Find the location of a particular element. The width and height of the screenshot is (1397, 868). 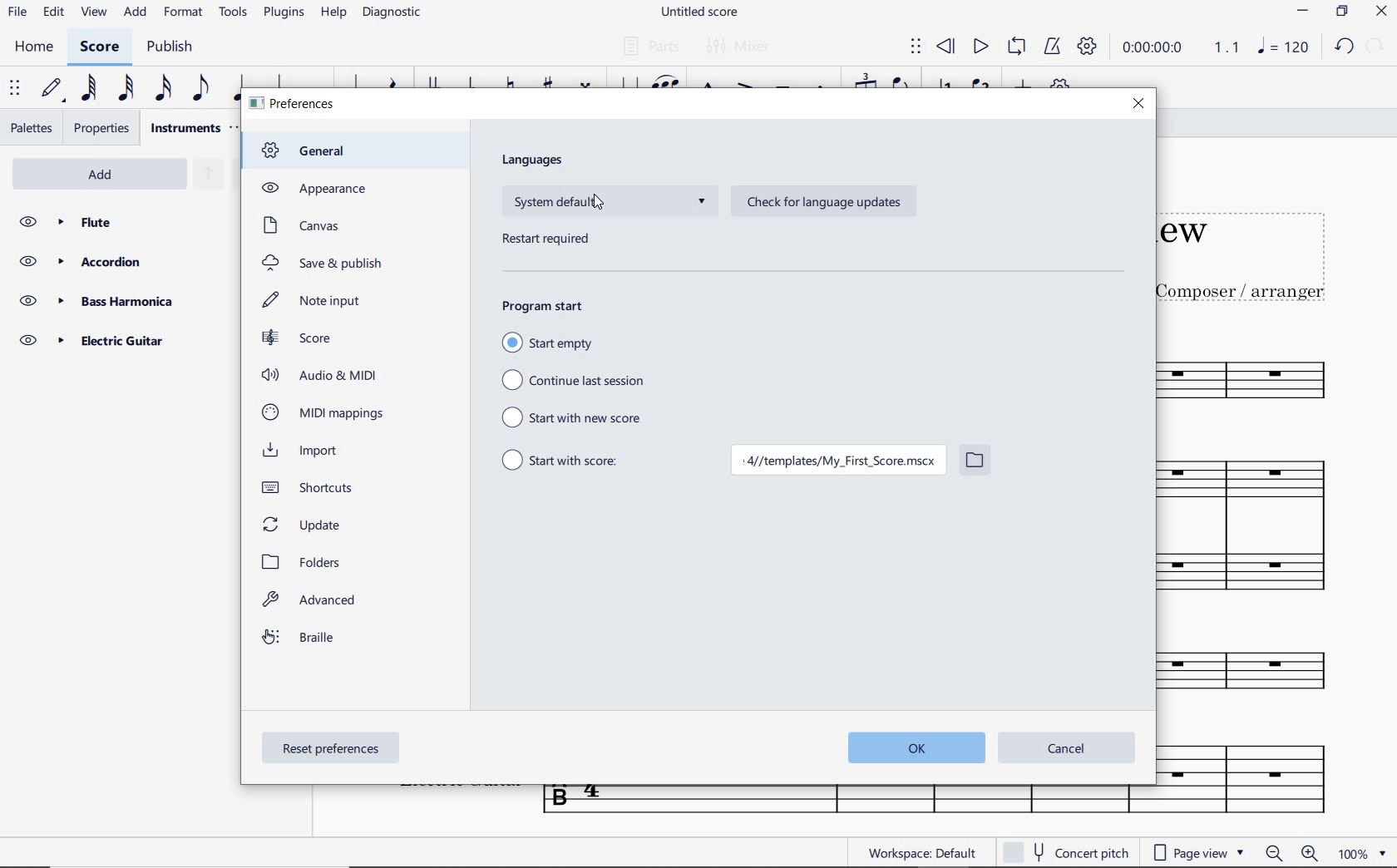

RESTORE DOWN is located at coordinates (1340, 12).